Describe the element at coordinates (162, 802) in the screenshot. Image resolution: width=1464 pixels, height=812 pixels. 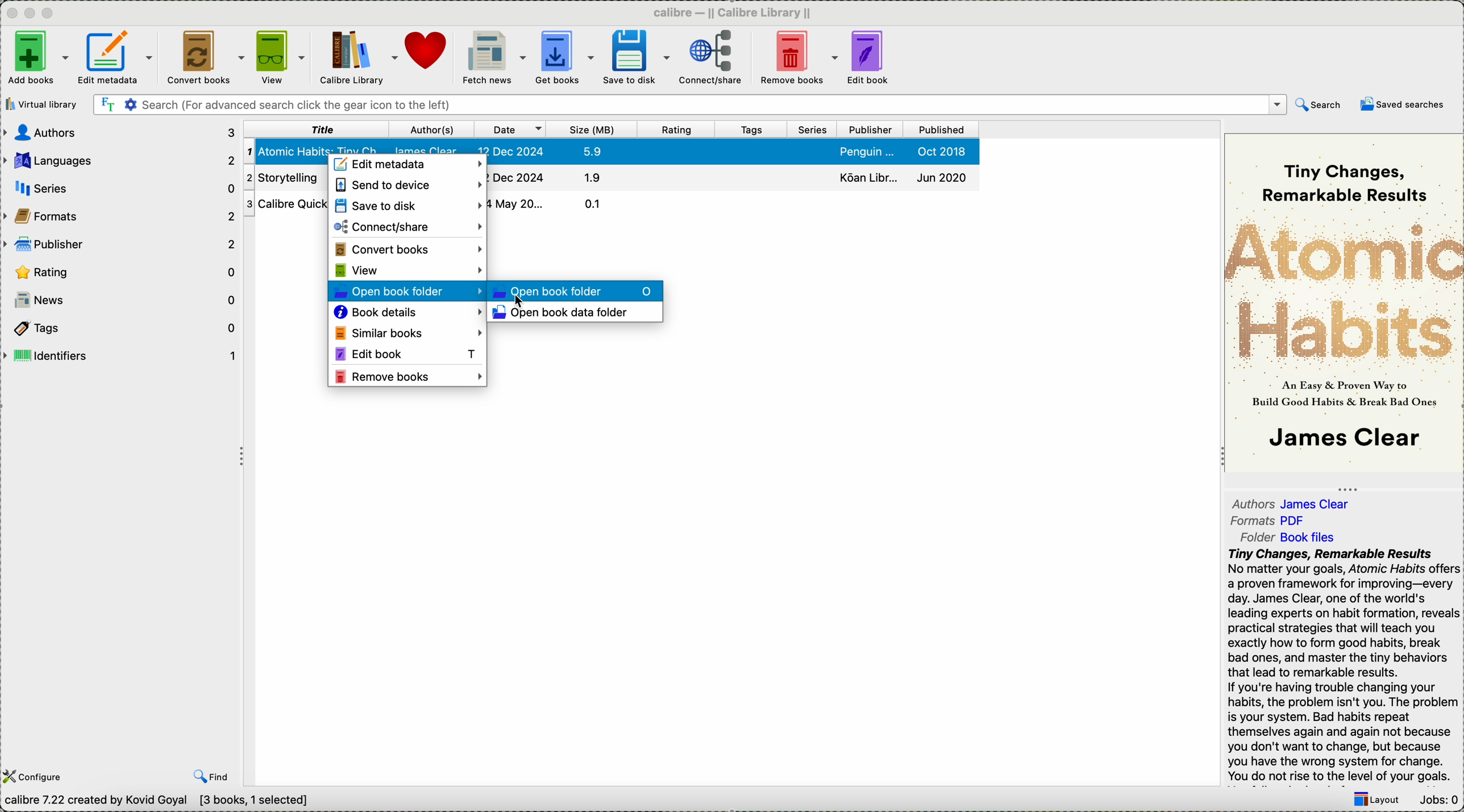
I see `data` at that location.